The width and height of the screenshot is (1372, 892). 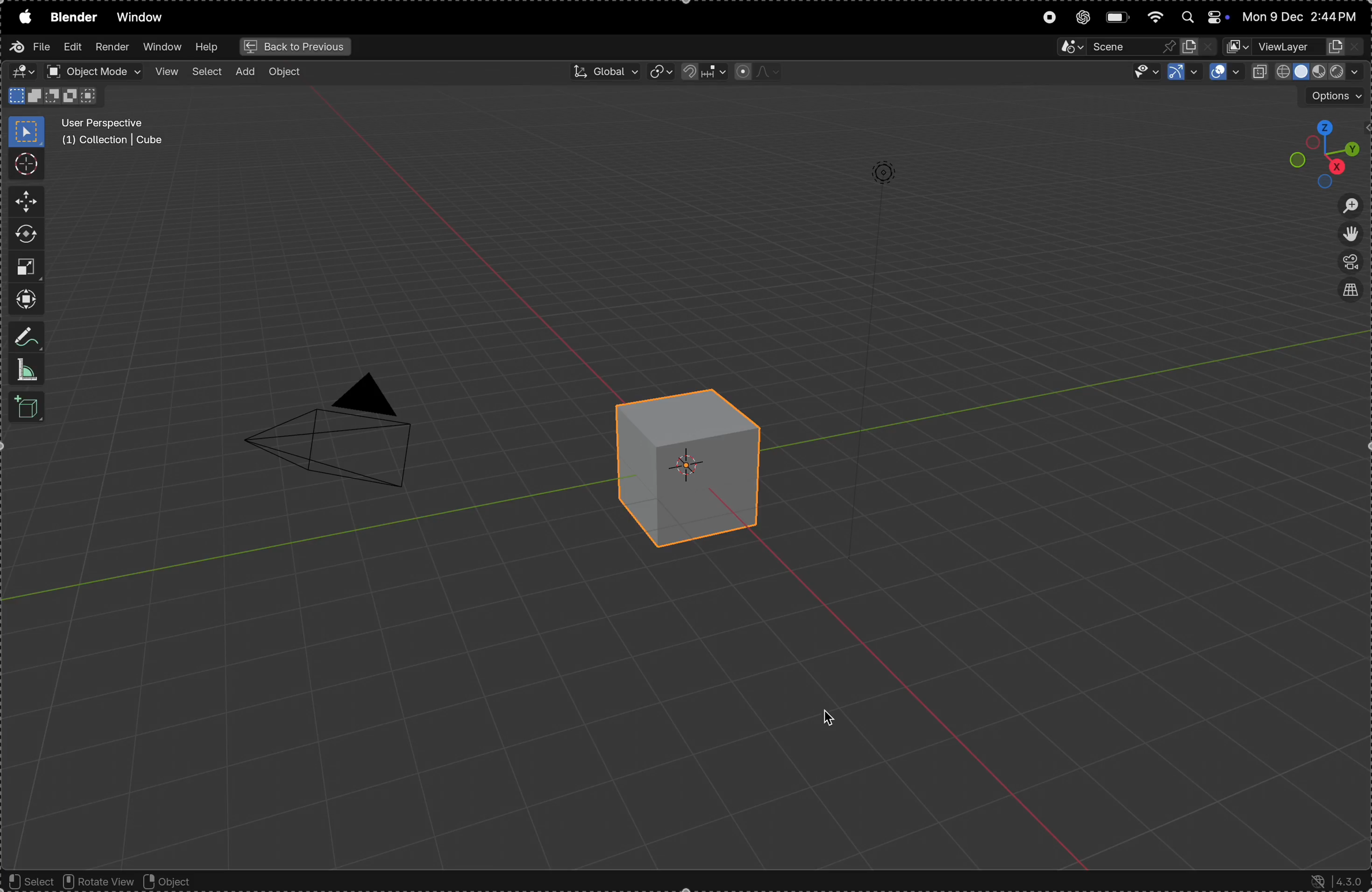 I want to click on rotate view, so click(x=96, y=880).